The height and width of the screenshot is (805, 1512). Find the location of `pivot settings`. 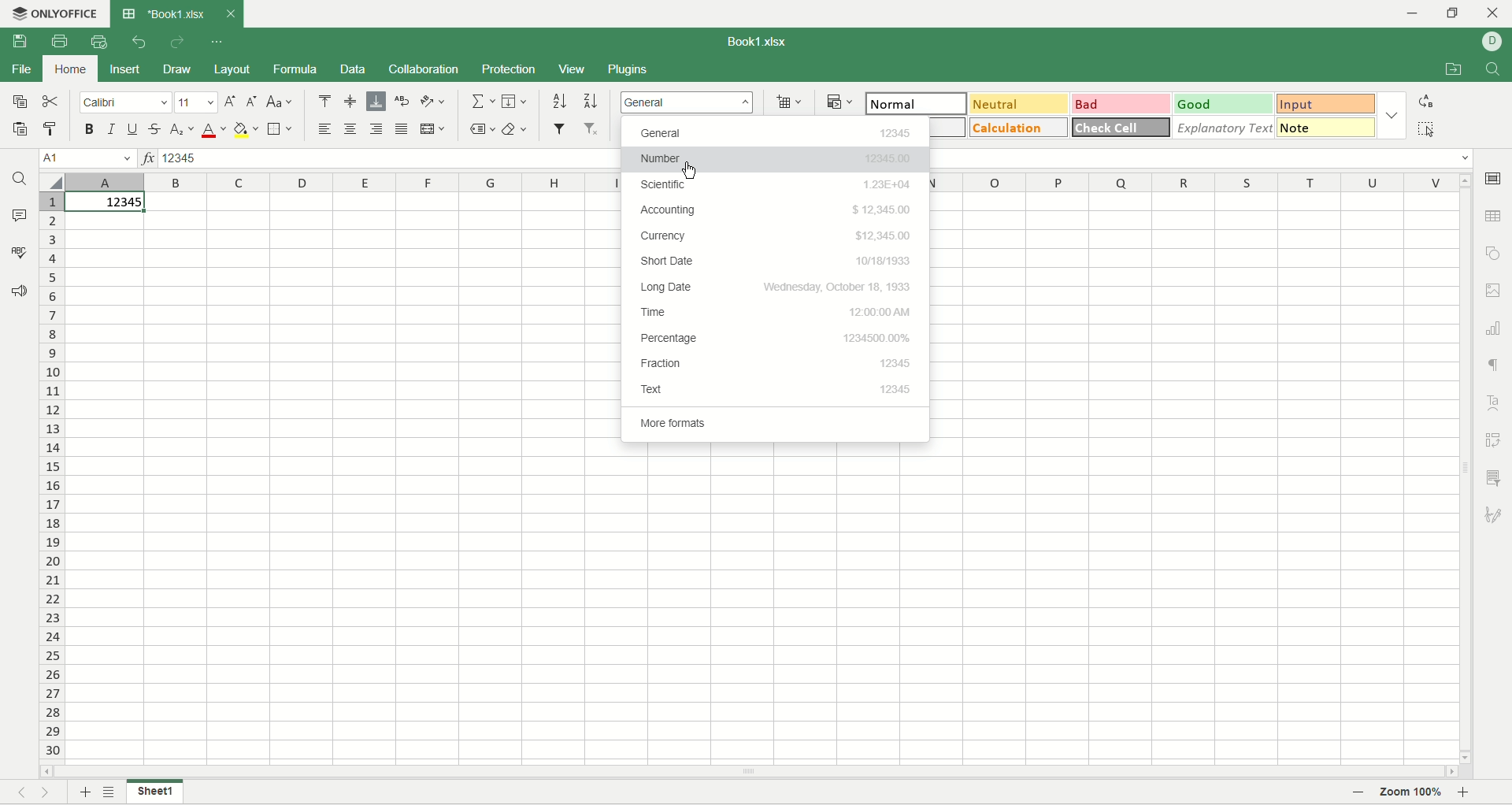

pivot settings is located at coordinates (1493, 441).